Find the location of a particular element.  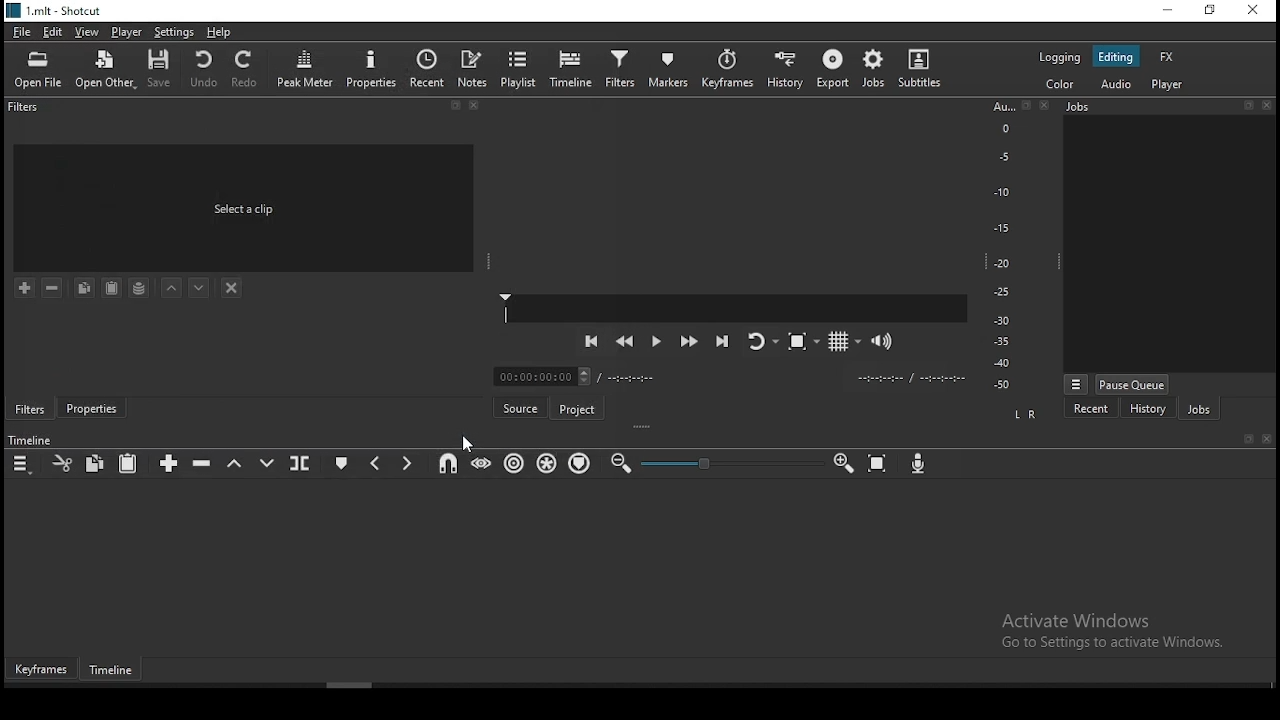

play quickly forwards is located at coordinates (691, 342).